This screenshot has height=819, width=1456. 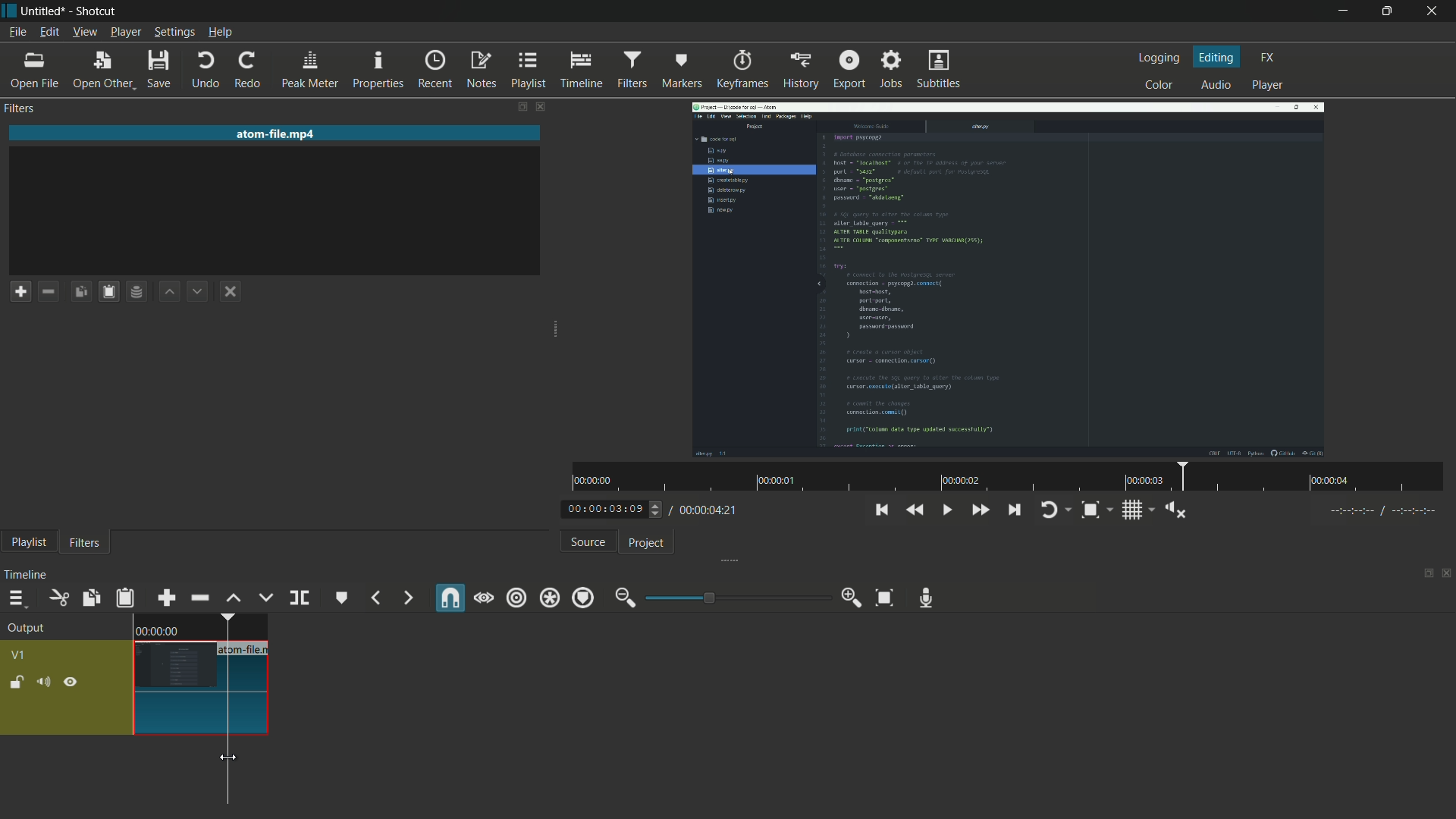 I want to click on playlist, so click(x=30, y=543).